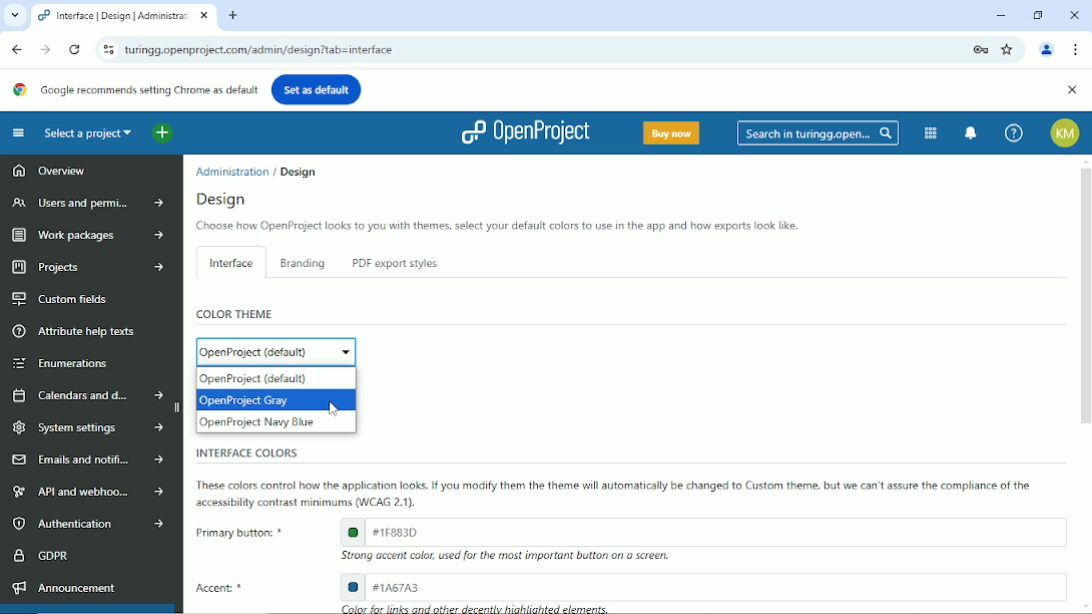 The image size is (1092, 614). Describe the element at coordinates (1009, 49) in the screenshot. I see `Bookmark this tab` at that location.